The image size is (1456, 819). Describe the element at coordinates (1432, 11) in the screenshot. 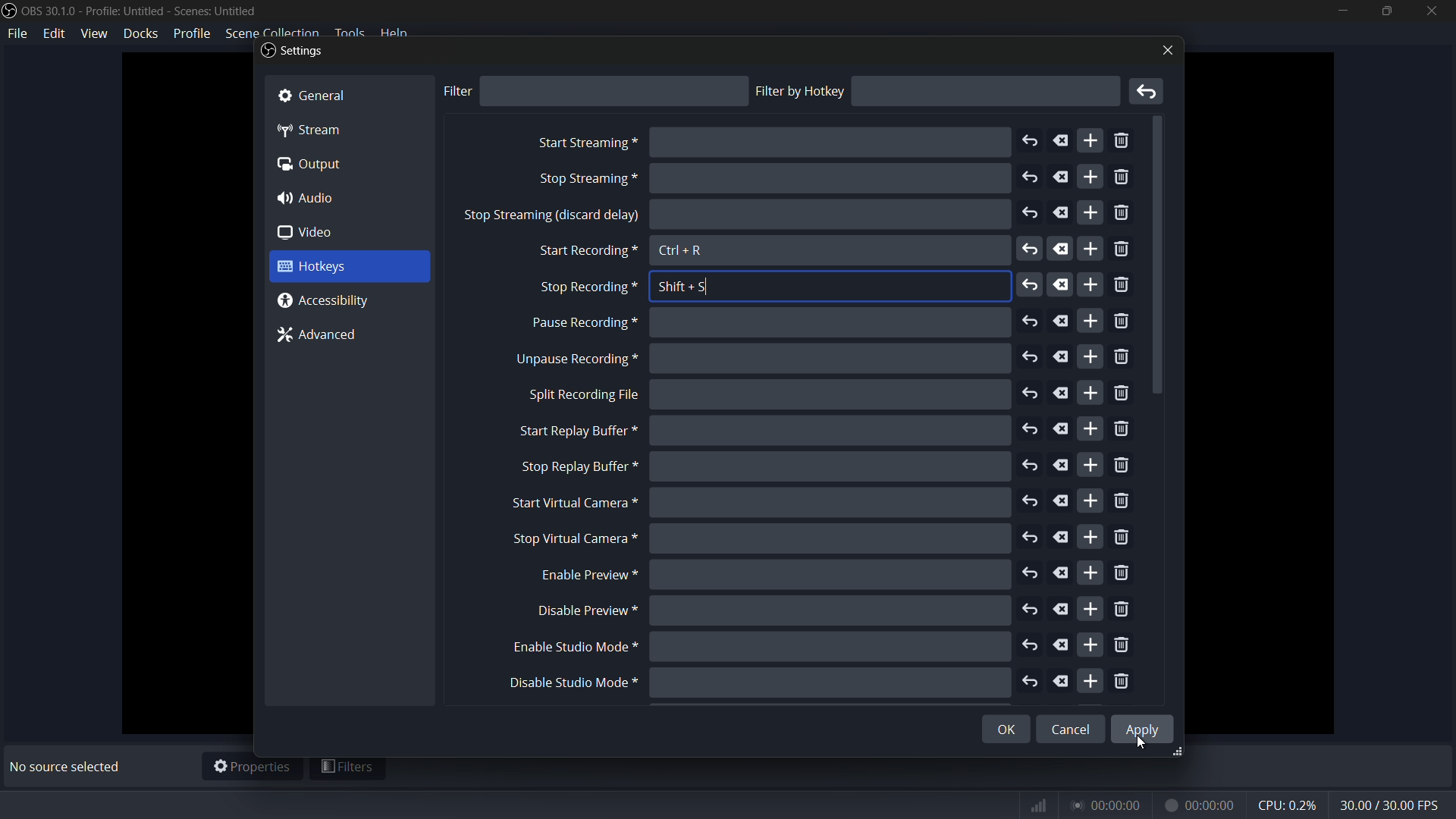

I see `close app` at that location.